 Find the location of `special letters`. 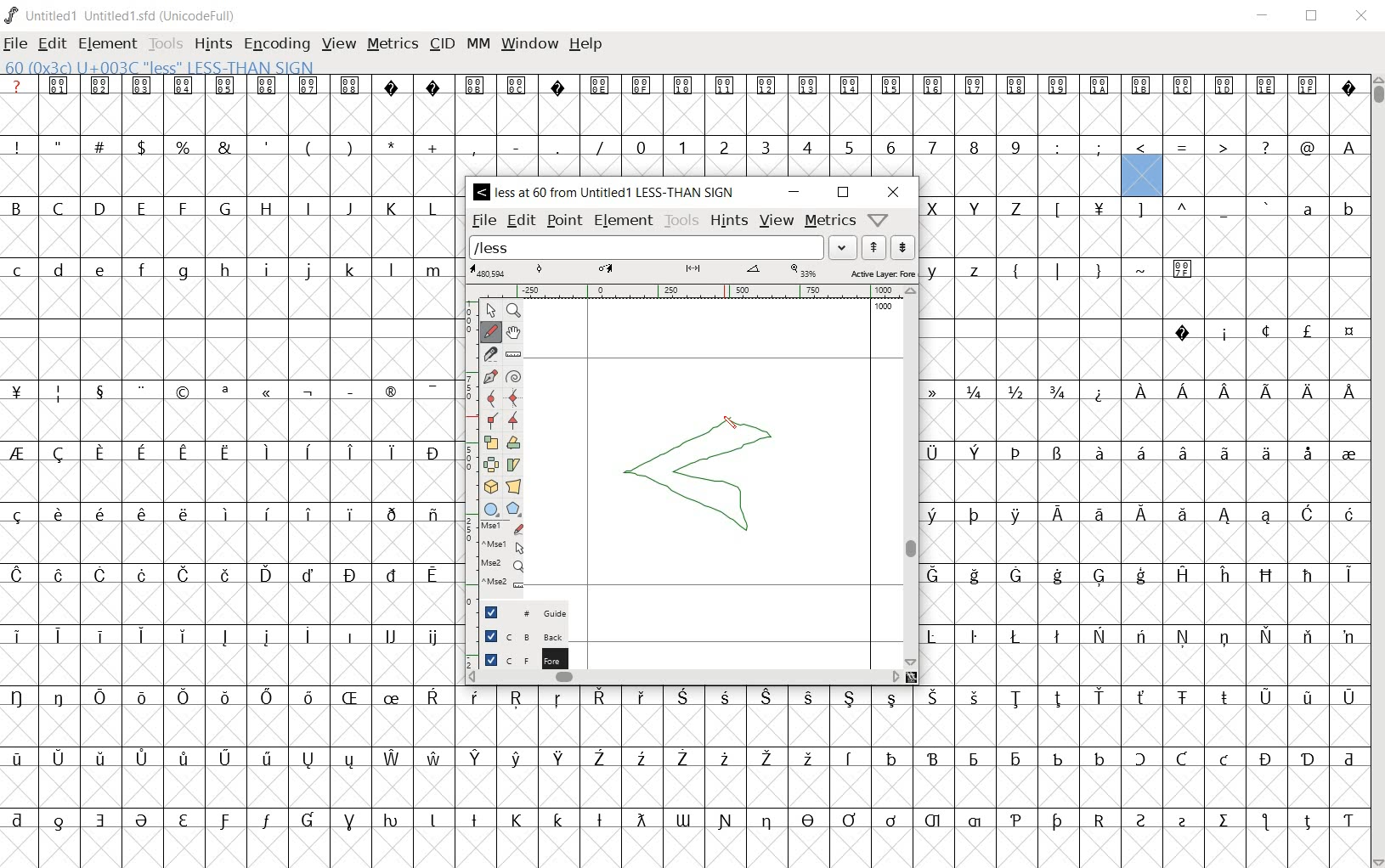

special letters is located at coordinates (1144, 513).